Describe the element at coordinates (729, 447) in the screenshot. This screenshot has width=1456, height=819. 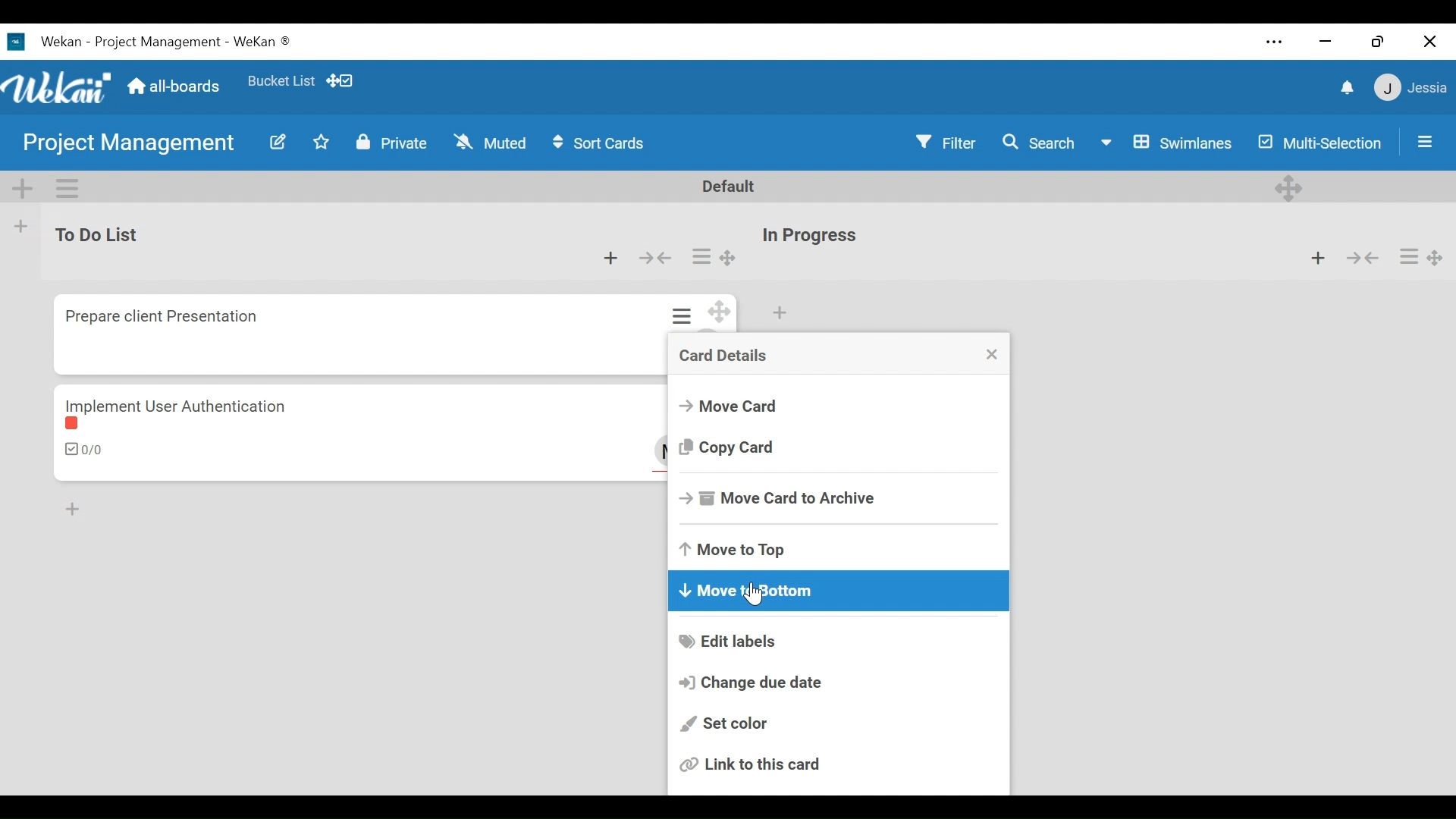
I see `Copy Crad` at that location.